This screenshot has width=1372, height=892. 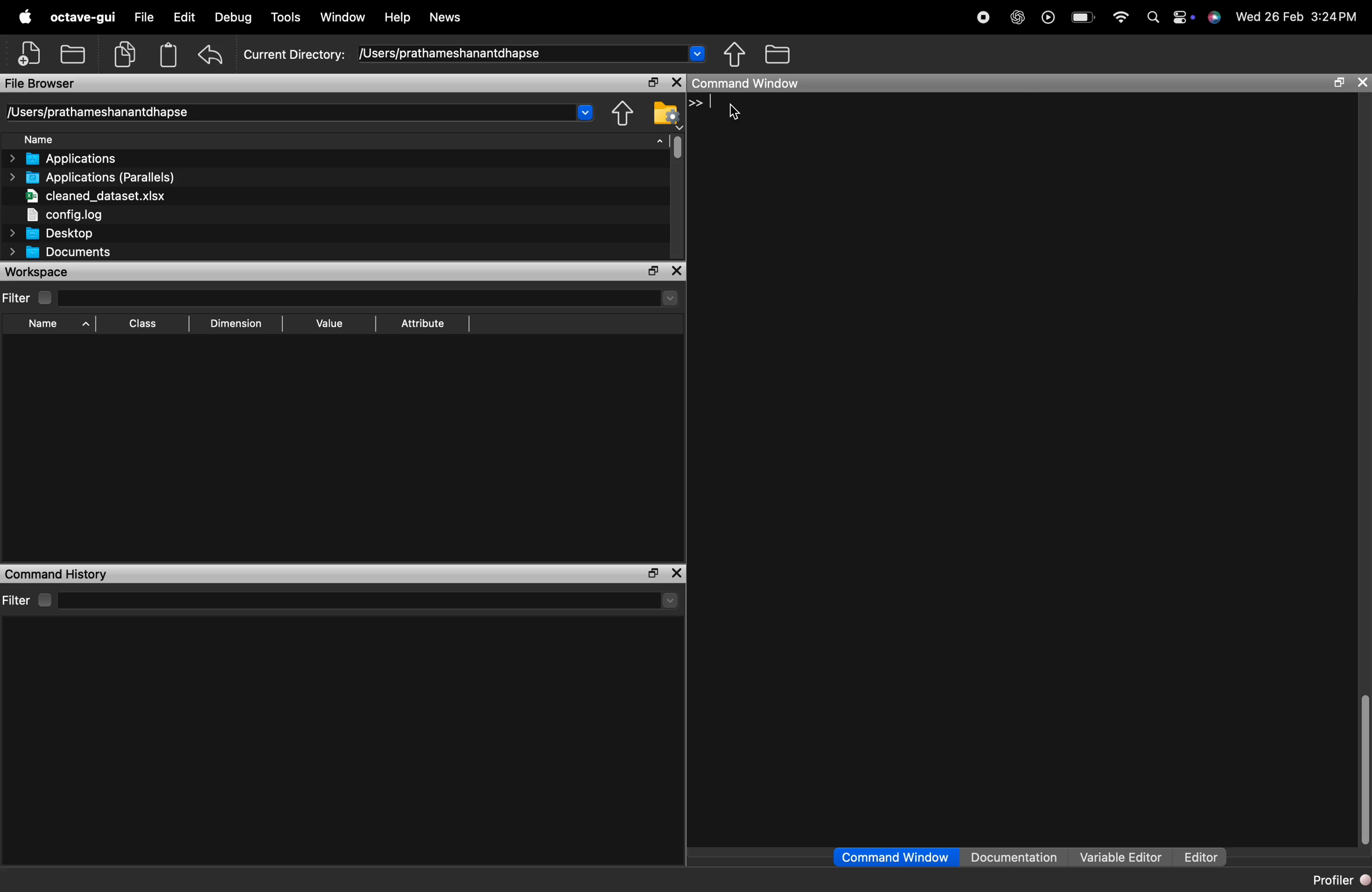 What do you see at coordinates (328, 322) in the screenshot?
I see `Value` at bounding box center [328, 322].